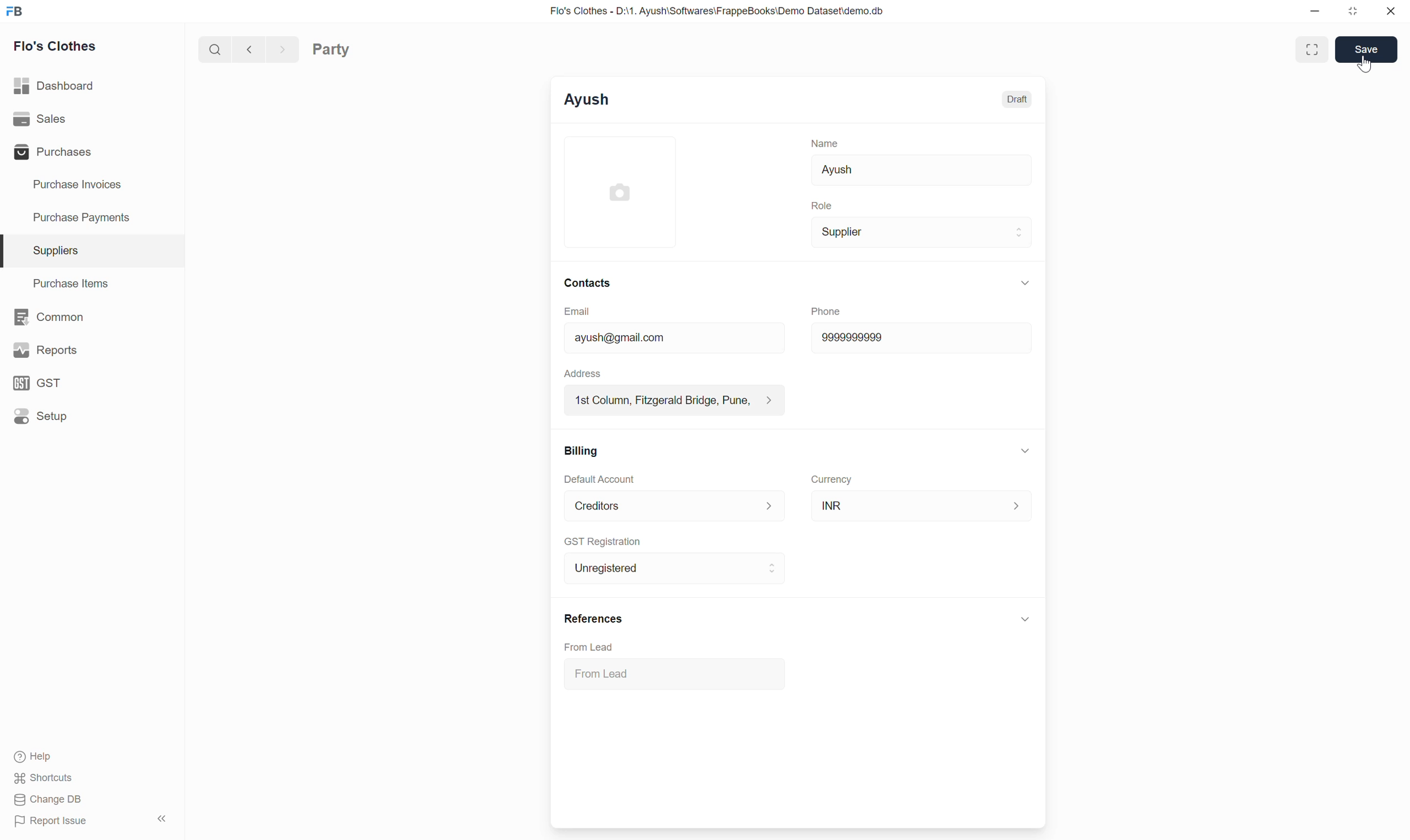 This screenshot has width=1410, height=840. What do you see at coordinates (91, 416) in the screenshot?
I see `Setup` at bounding box center [91, 416].